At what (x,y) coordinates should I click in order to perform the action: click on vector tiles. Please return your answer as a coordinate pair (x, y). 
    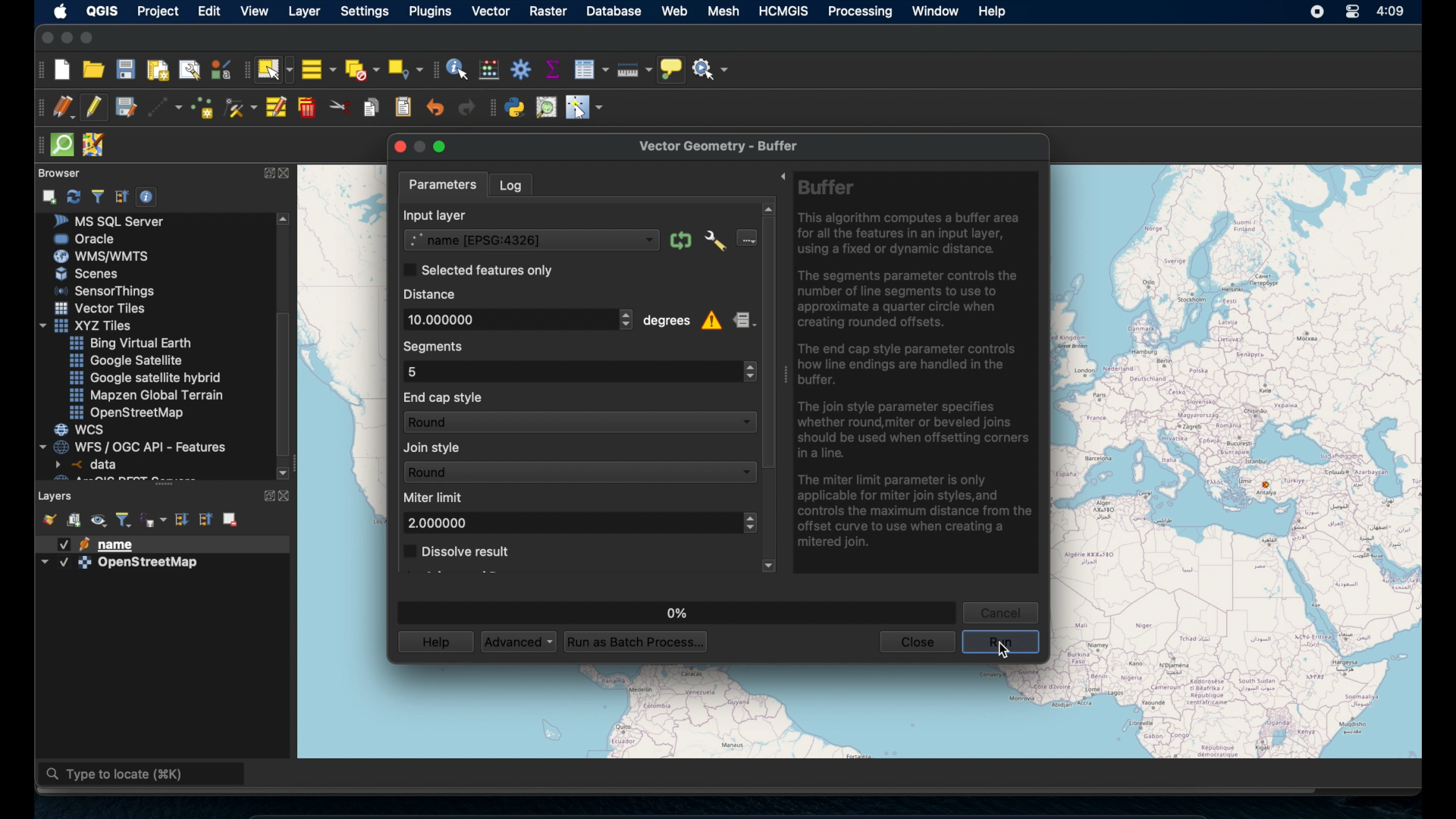
    Looking at the image, I should click on (101, 308).